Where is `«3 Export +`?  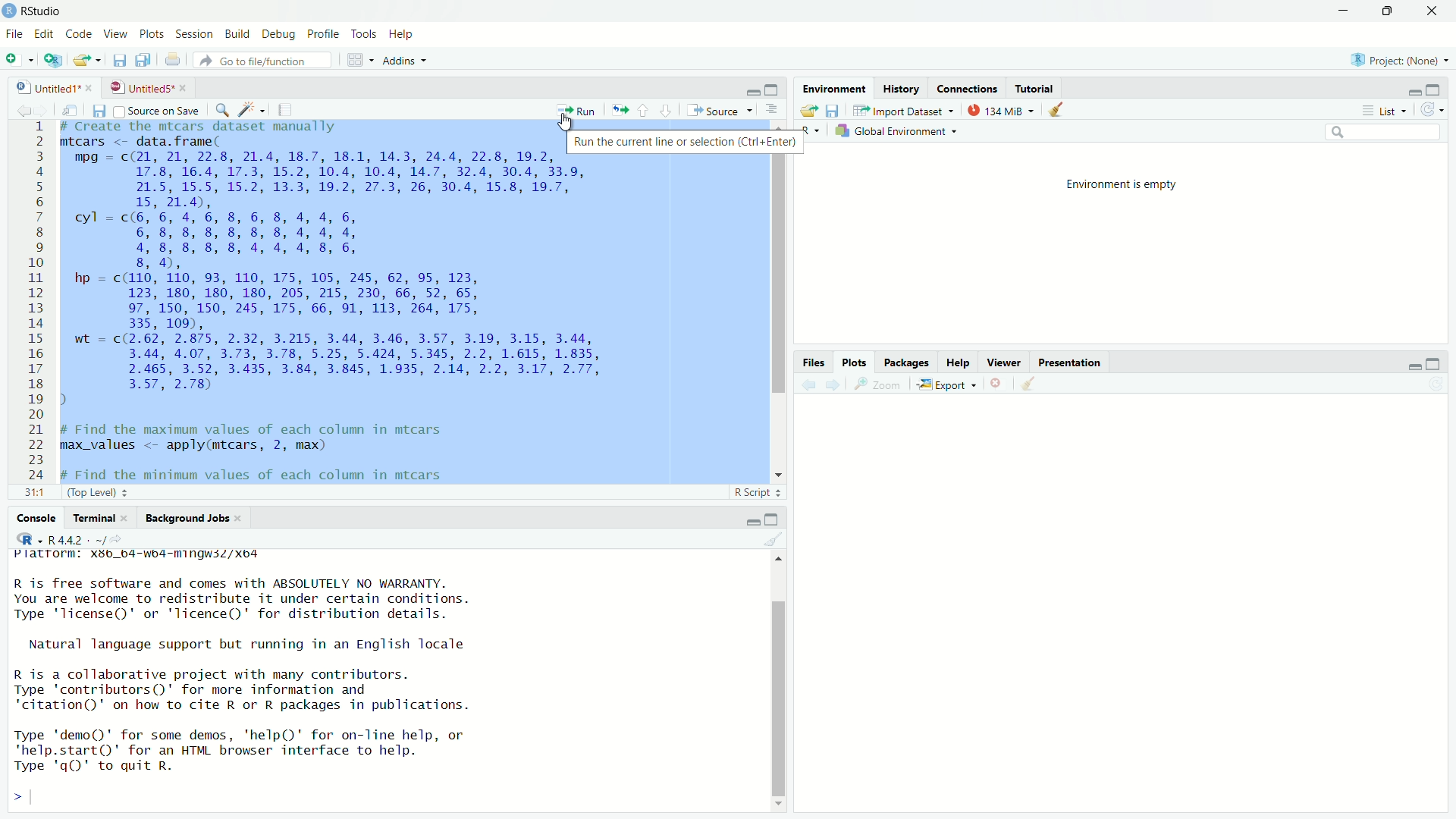 «3 Export + is located at coordinates (949, 384).